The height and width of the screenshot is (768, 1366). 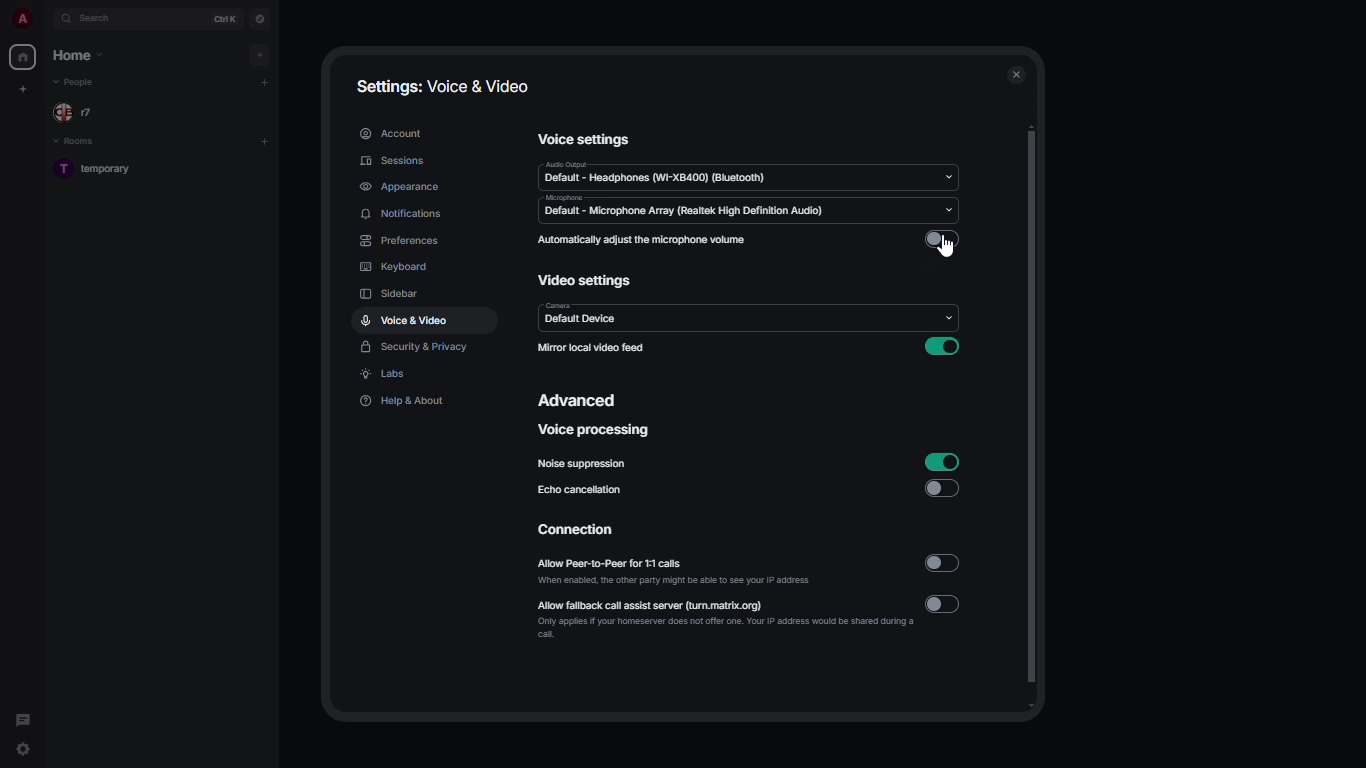 What do you see at coordinates (396, 293) in the screenshot?
I see `sidebar` at bounding box center [396, 293].